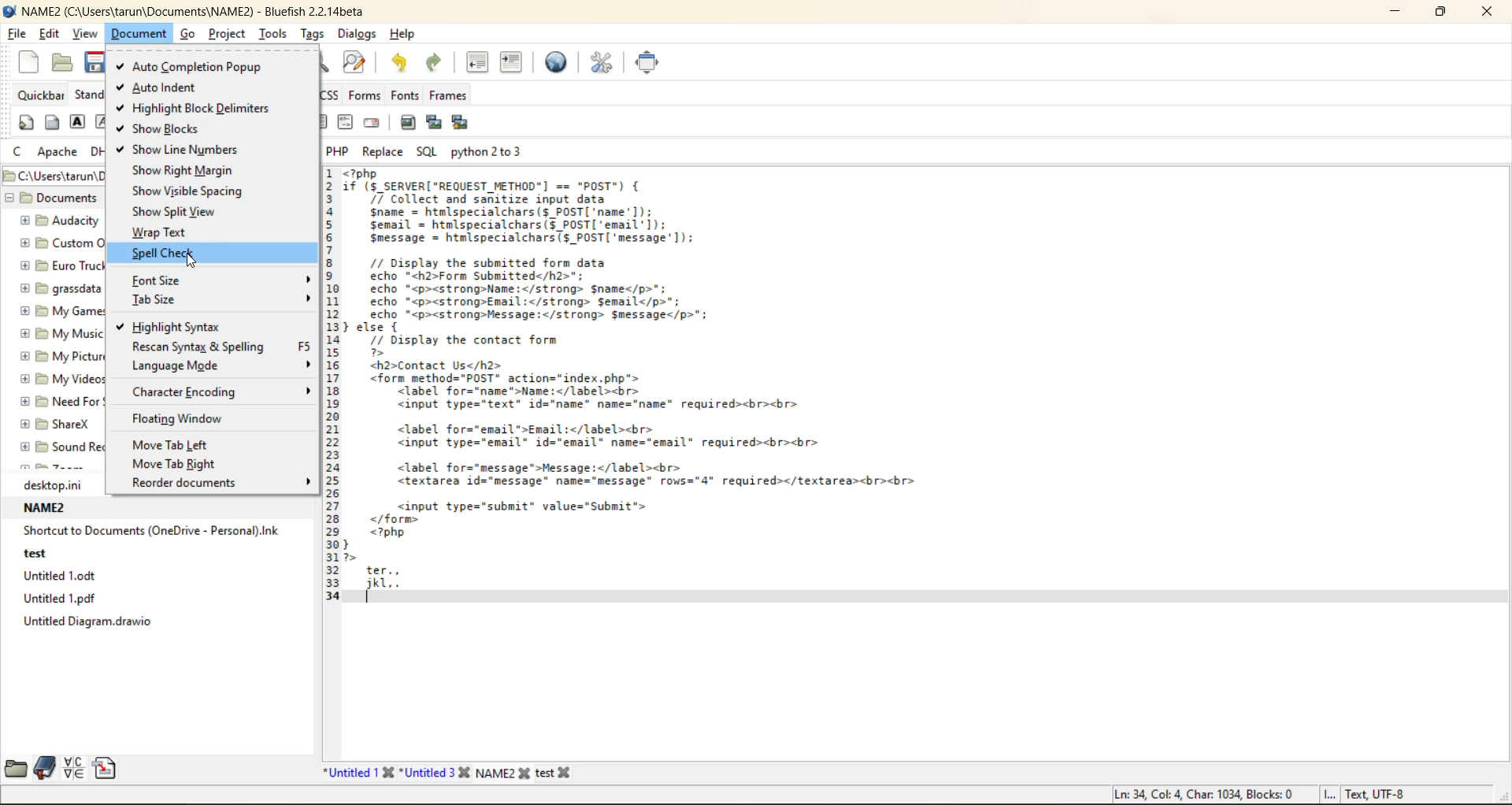  I want to click on email, so click(369, 124).